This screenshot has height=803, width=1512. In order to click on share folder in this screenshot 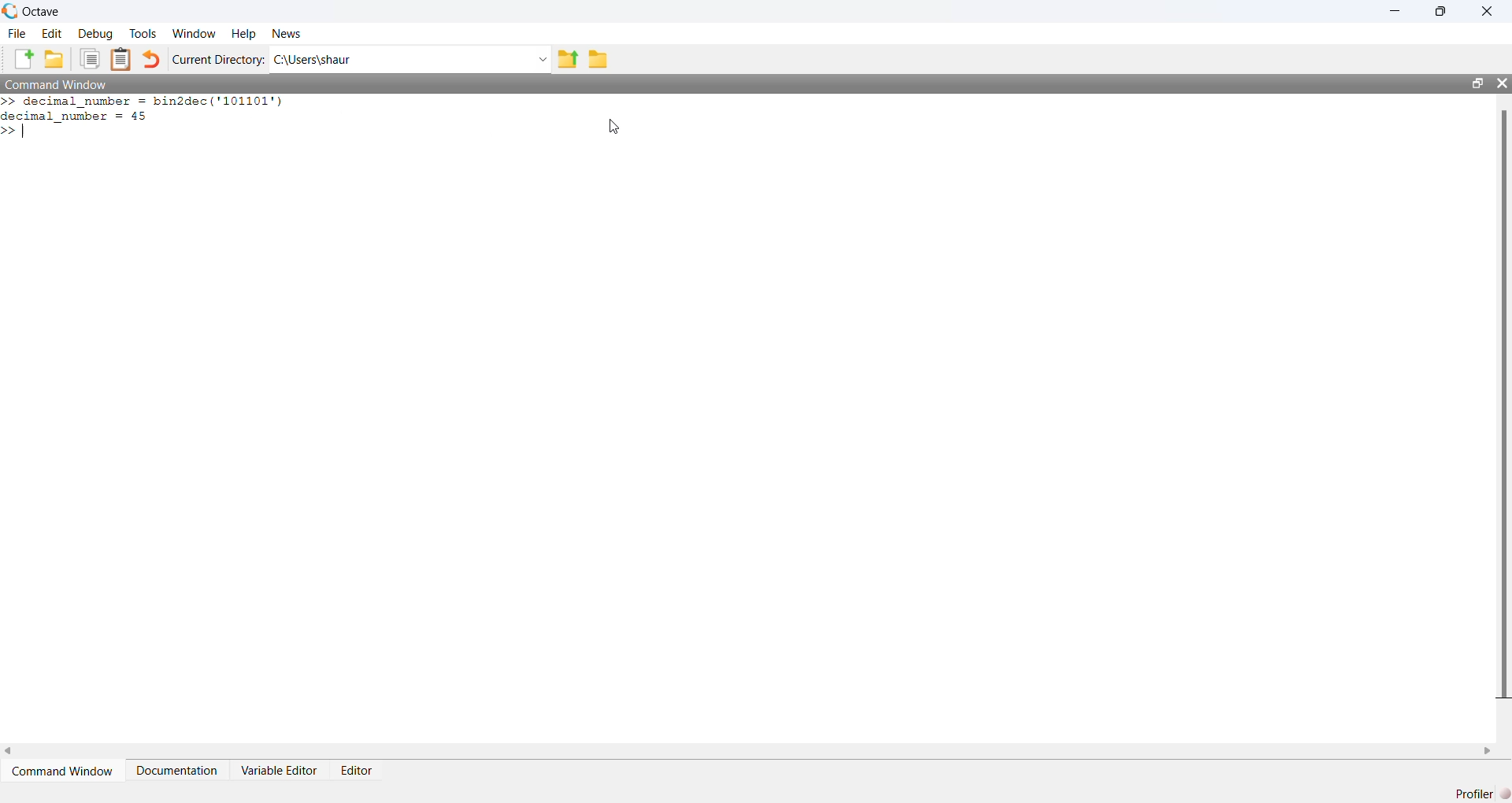, I will do `click(567, 59)`.